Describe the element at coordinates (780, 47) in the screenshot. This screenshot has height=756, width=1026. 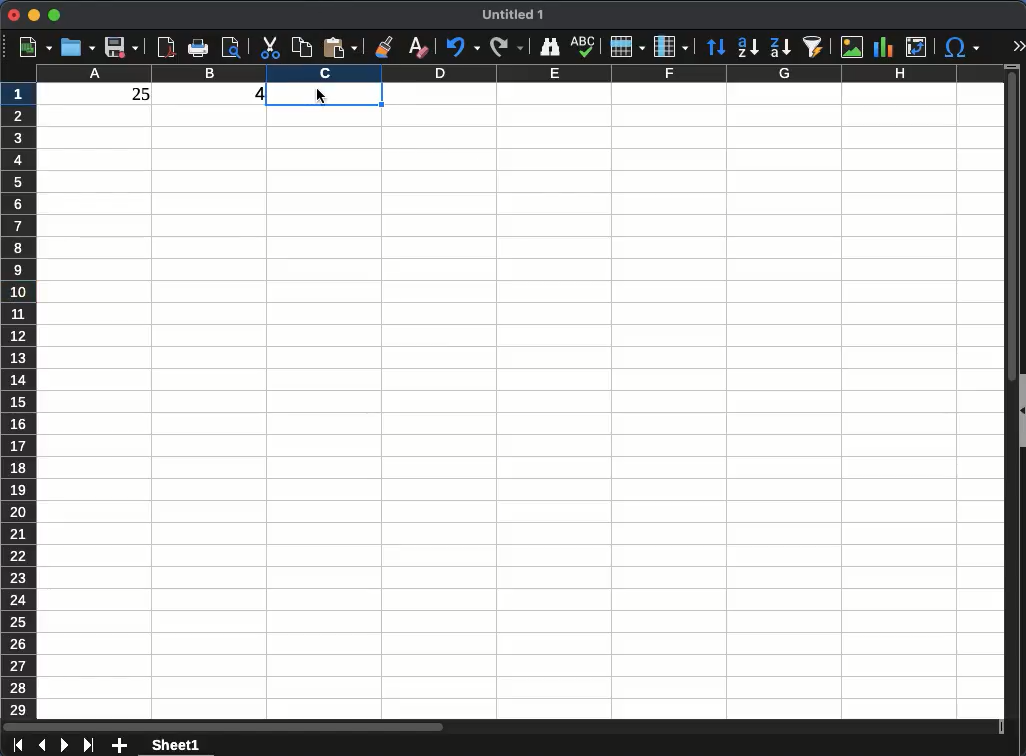
I see `sort descending` at that location.